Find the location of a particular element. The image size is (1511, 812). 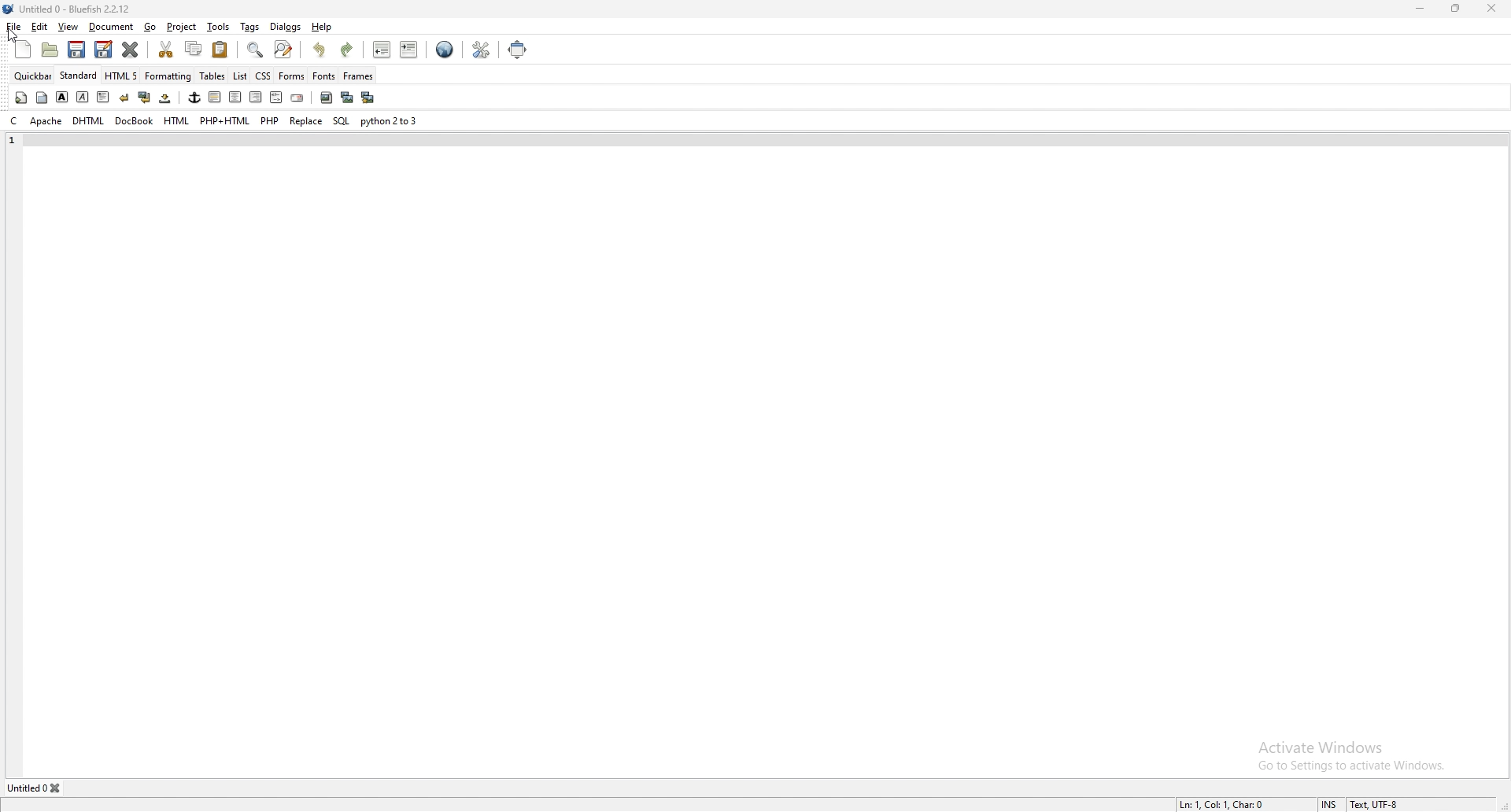

quick bar is located at coordinates (34, 76).